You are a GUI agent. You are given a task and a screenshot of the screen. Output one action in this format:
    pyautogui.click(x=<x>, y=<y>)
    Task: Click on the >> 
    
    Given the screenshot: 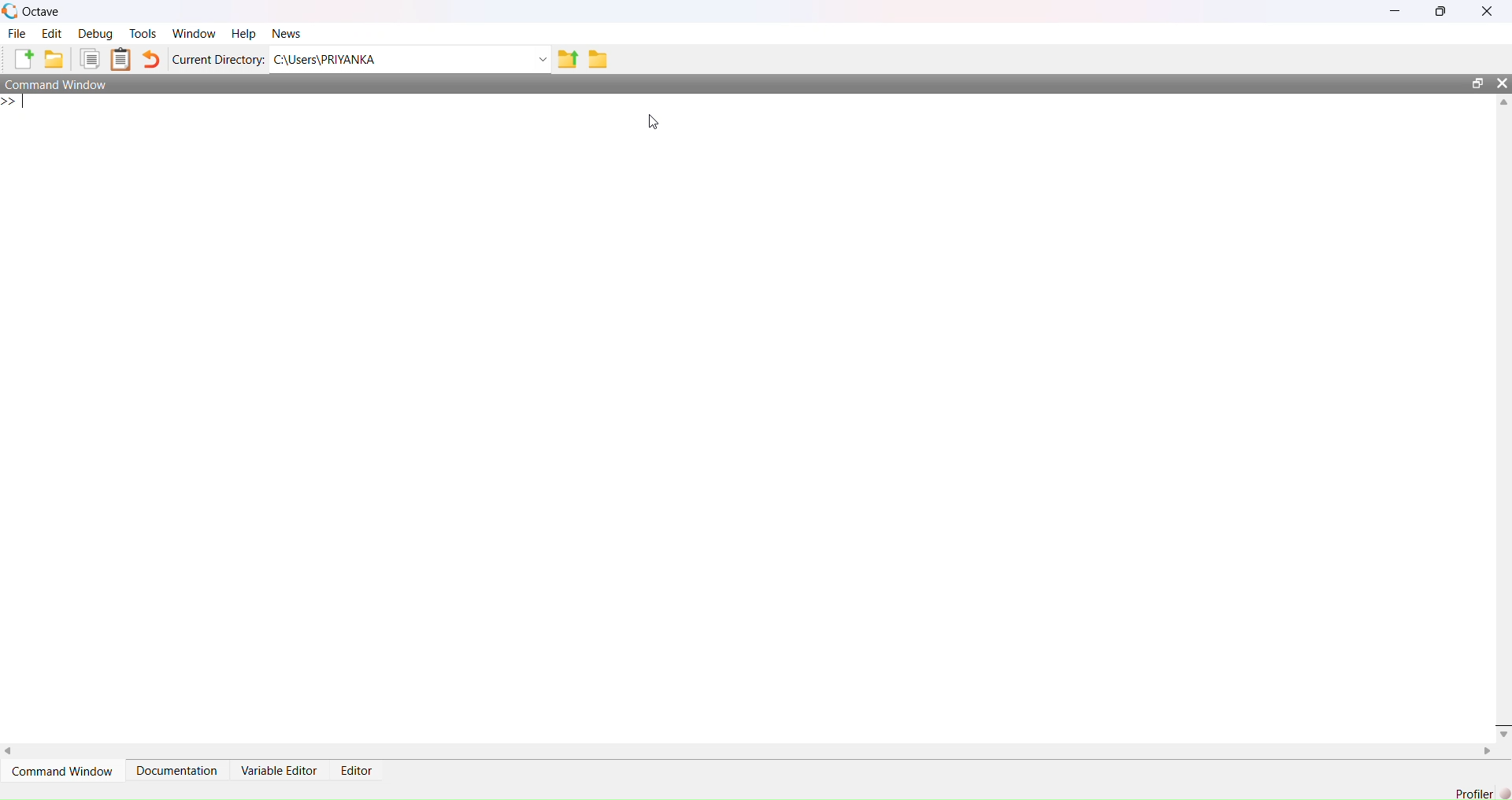 What is the action you would take?
    pyautogui.click(x=13, y=102)
    